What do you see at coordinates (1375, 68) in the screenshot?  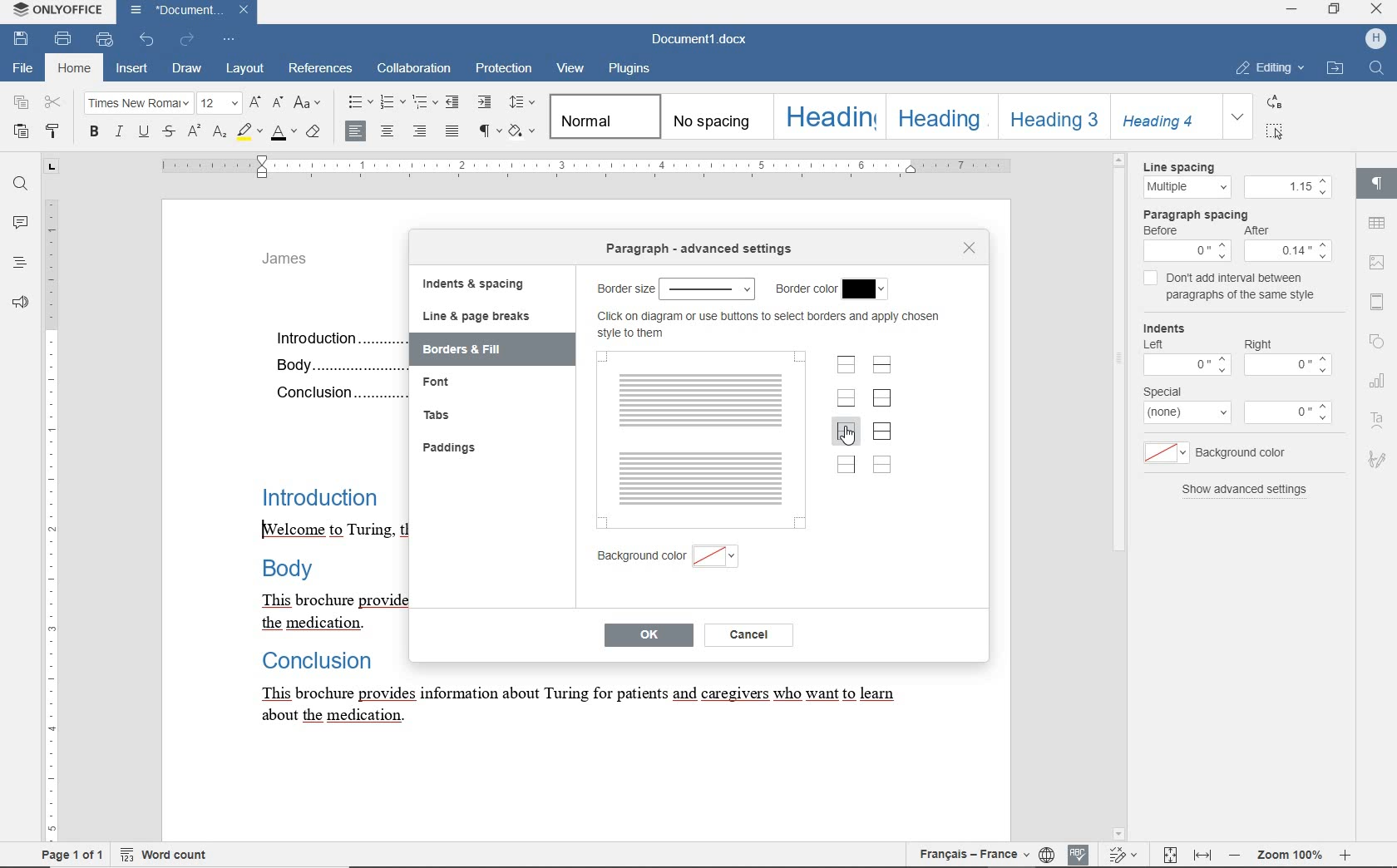 I see `search` at bounding box center [1375, 68].